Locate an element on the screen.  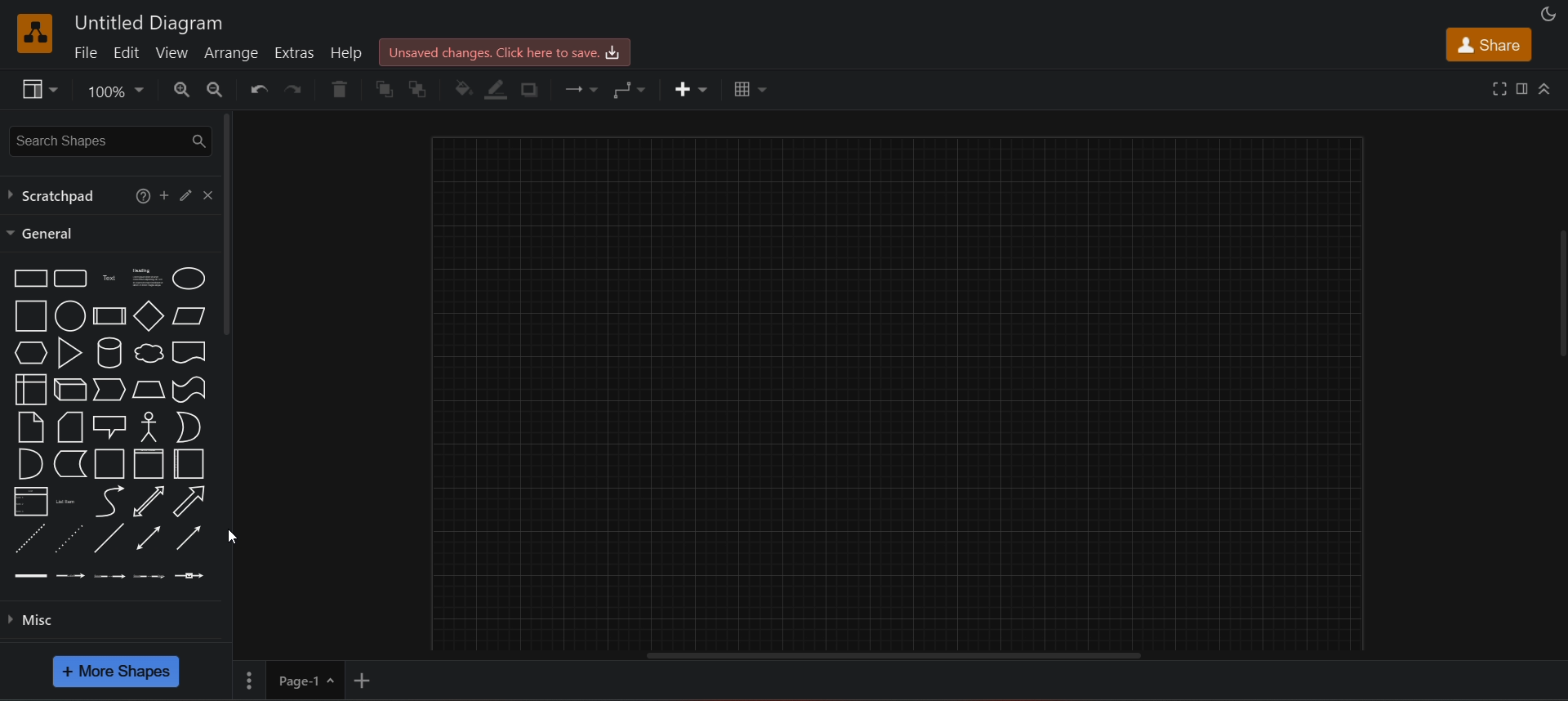
add new page is located at coordinates (366, 678).